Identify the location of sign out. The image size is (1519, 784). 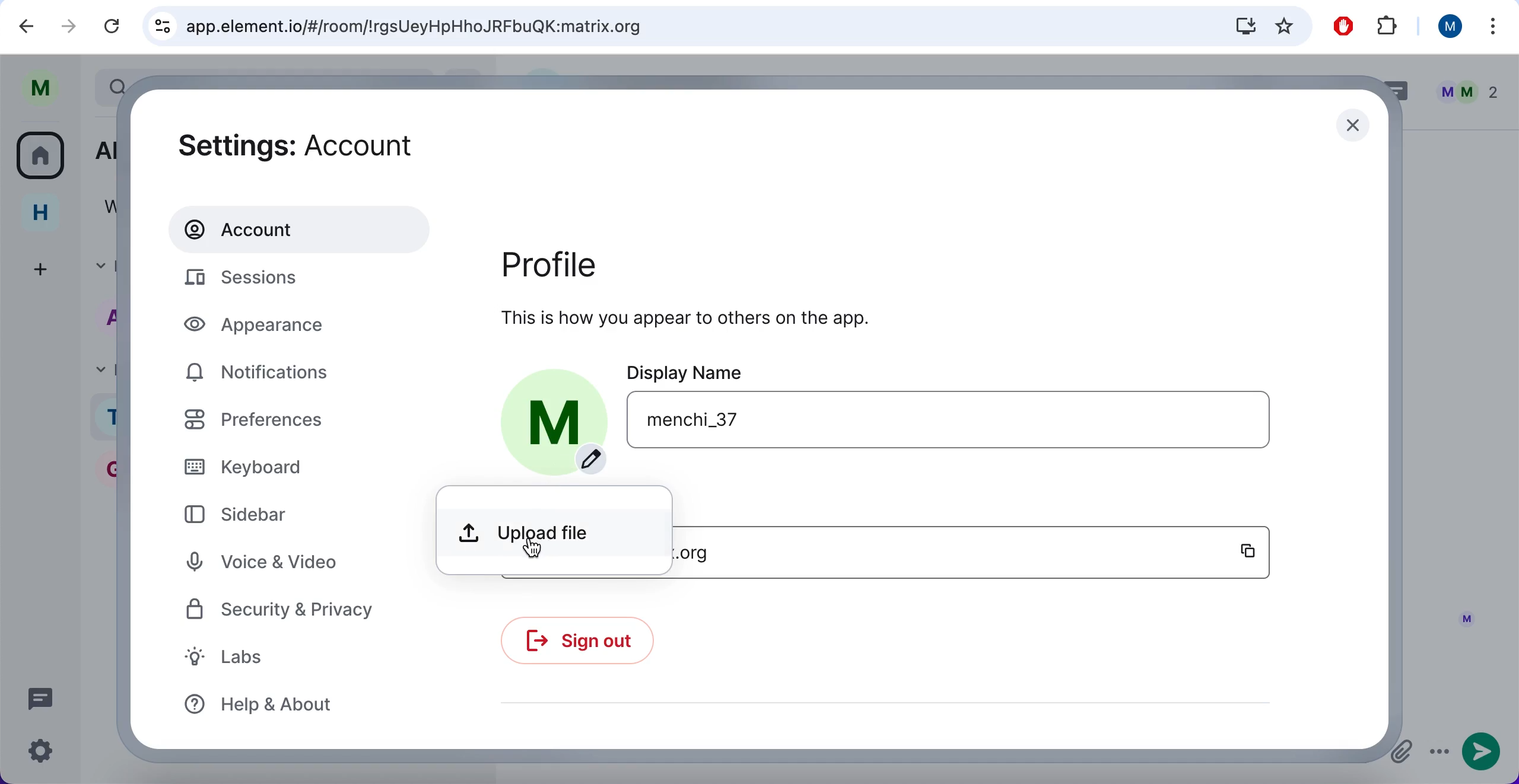
(592, 647).